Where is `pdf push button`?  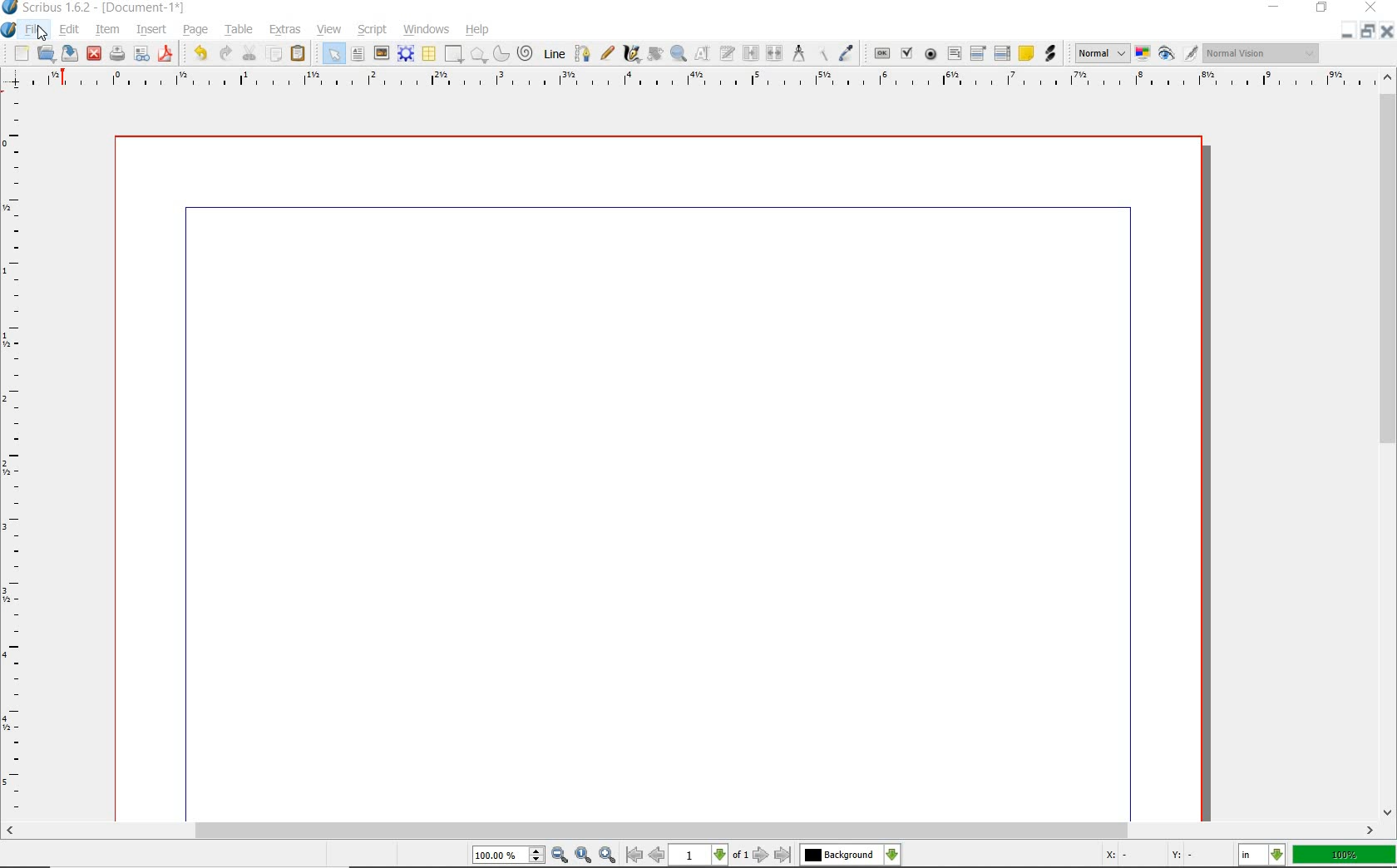
pdf push button is located at coordinates (881, 53).